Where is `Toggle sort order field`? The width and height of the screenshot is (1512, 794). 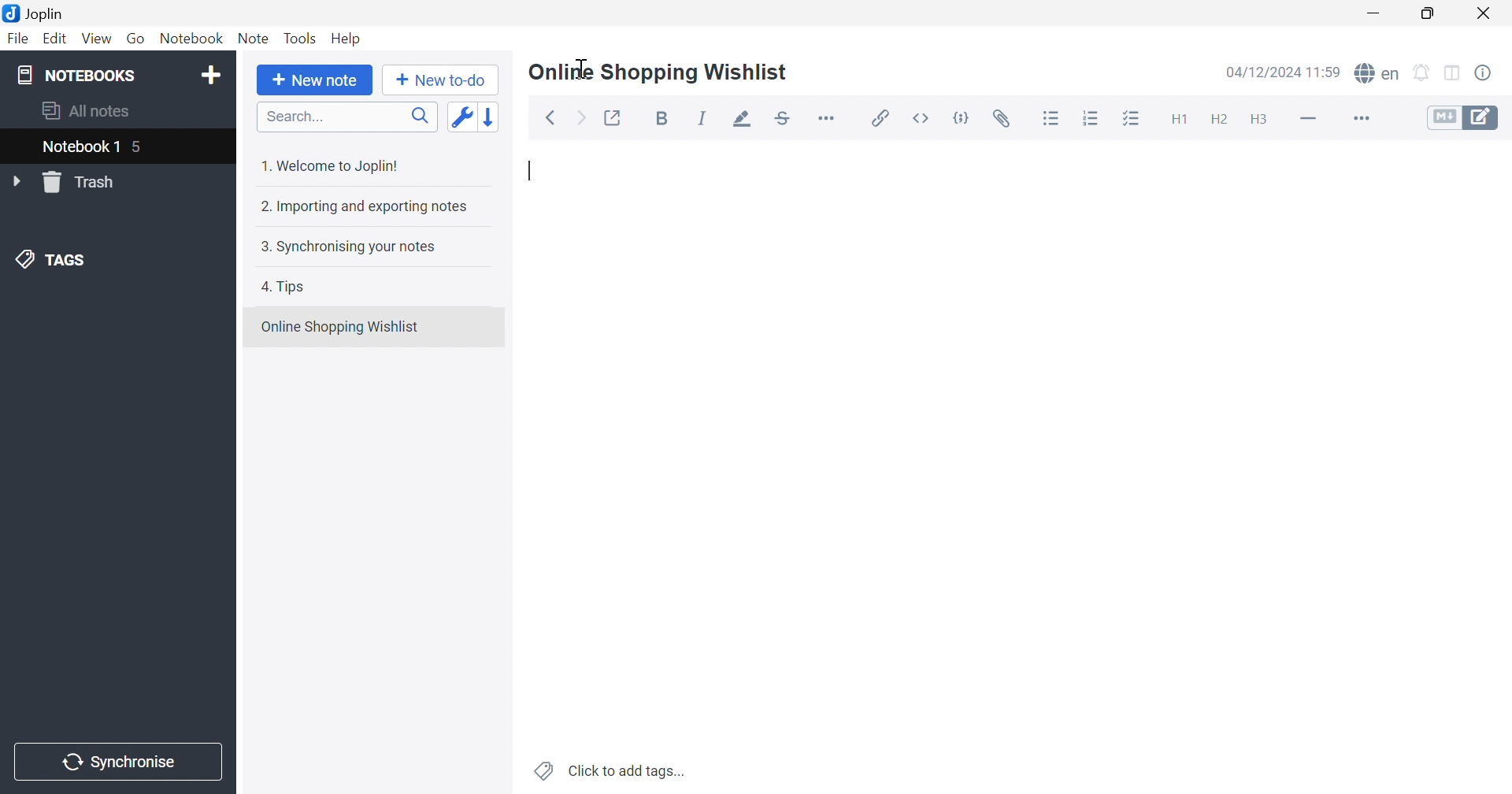
Toggle sort order field is located at coordinates (461, 117).